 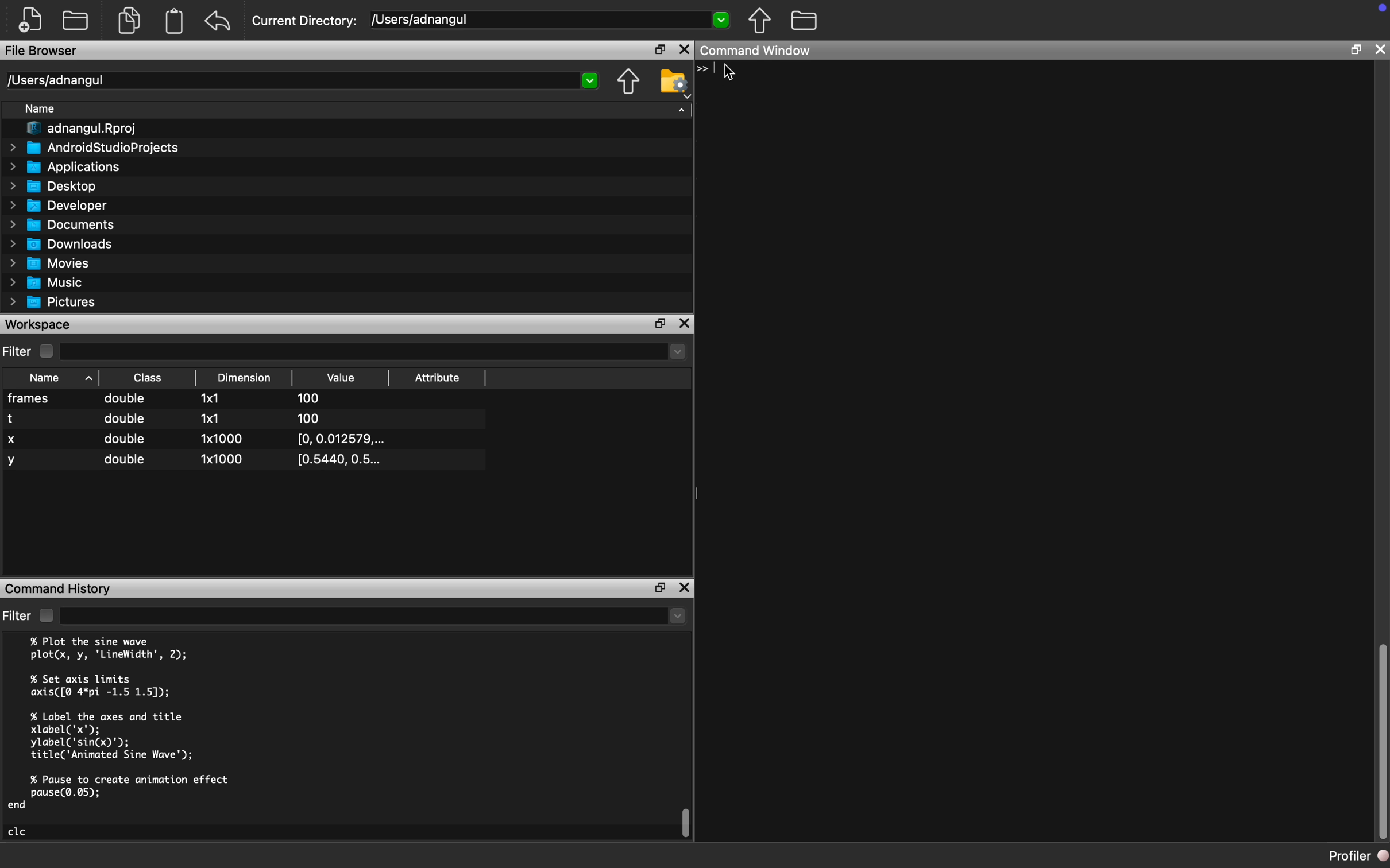 I want to click on 1x1, so click(x=210, y=398).